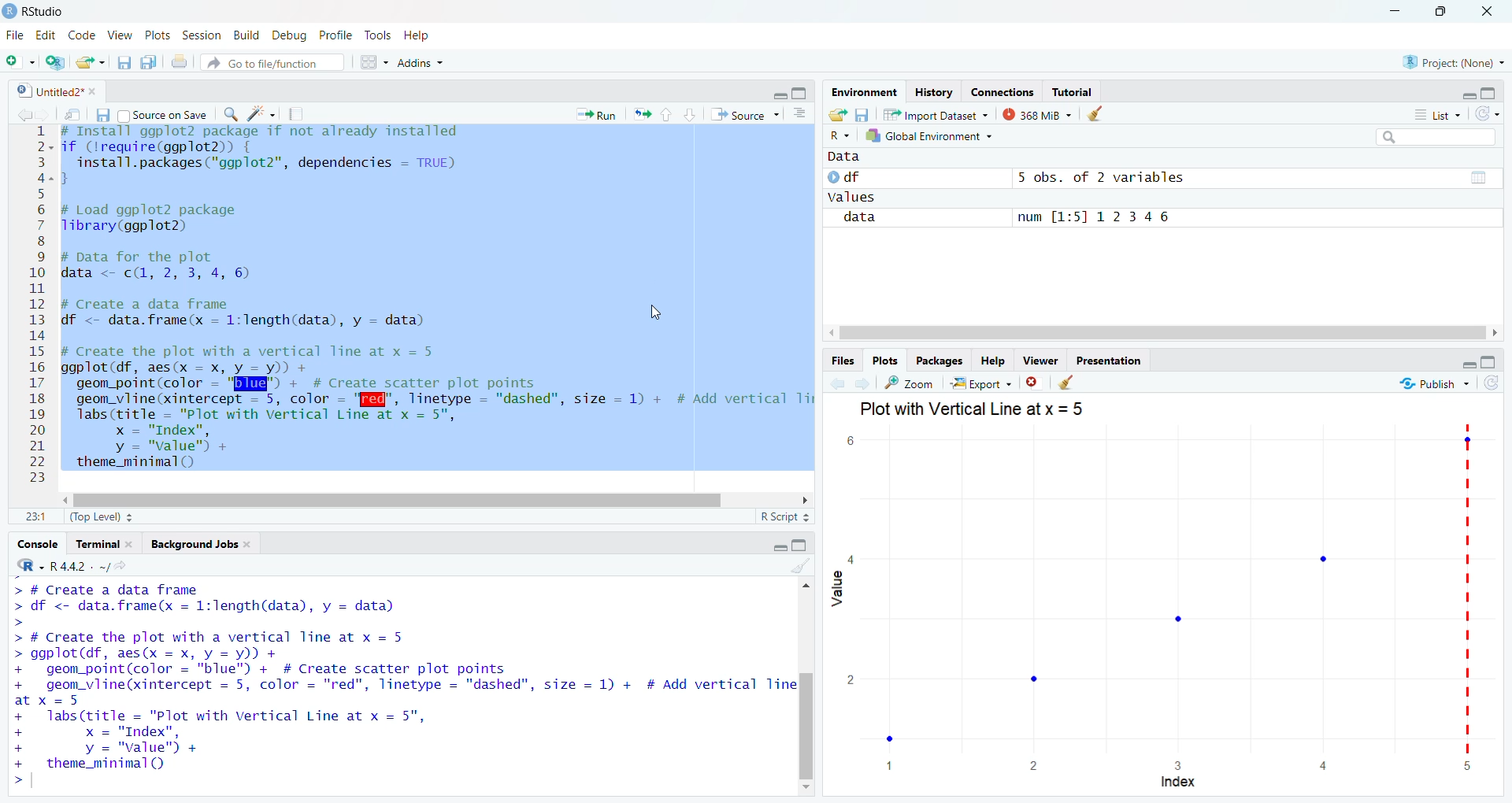 This screenshot has height=803, width=1512. What do you see at coordinates (51, 90) in the screenshot?
I see `| Untitled2* *` at bounding box center [51, 90].